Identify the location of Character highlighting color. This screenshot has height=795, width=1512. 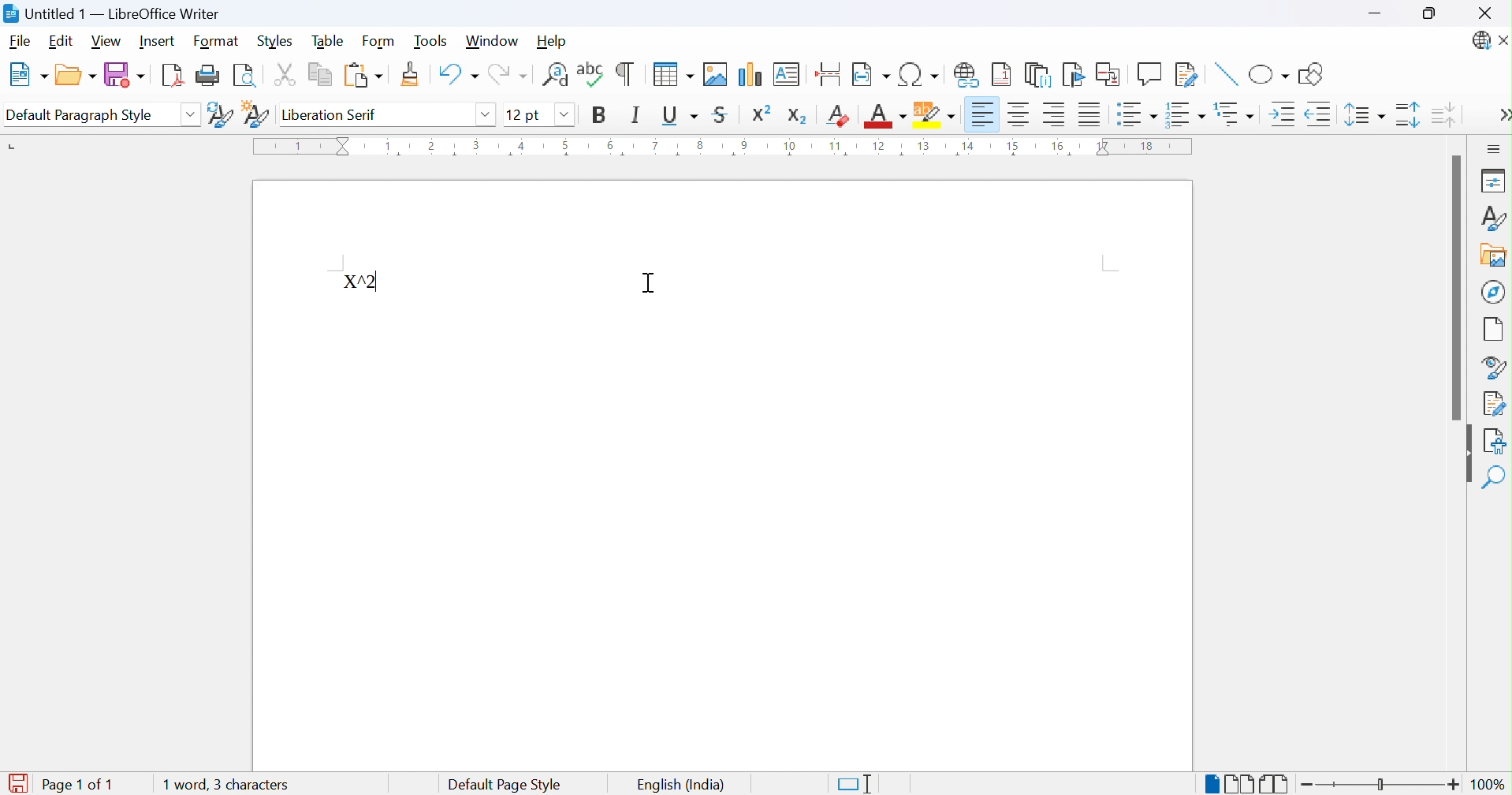
(936, 116).